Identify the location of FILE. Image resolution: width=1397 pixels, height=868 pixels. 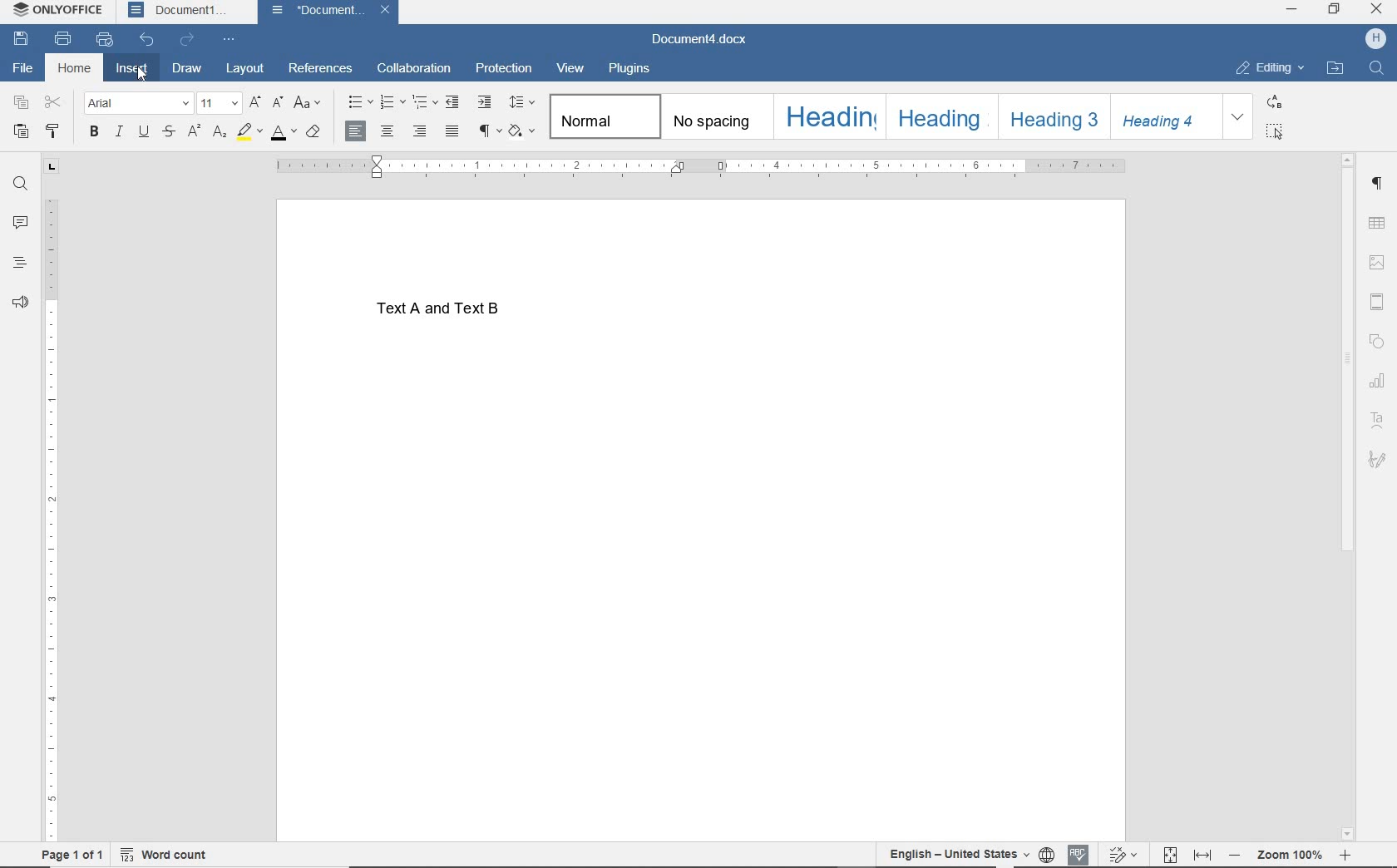
(28, 69).